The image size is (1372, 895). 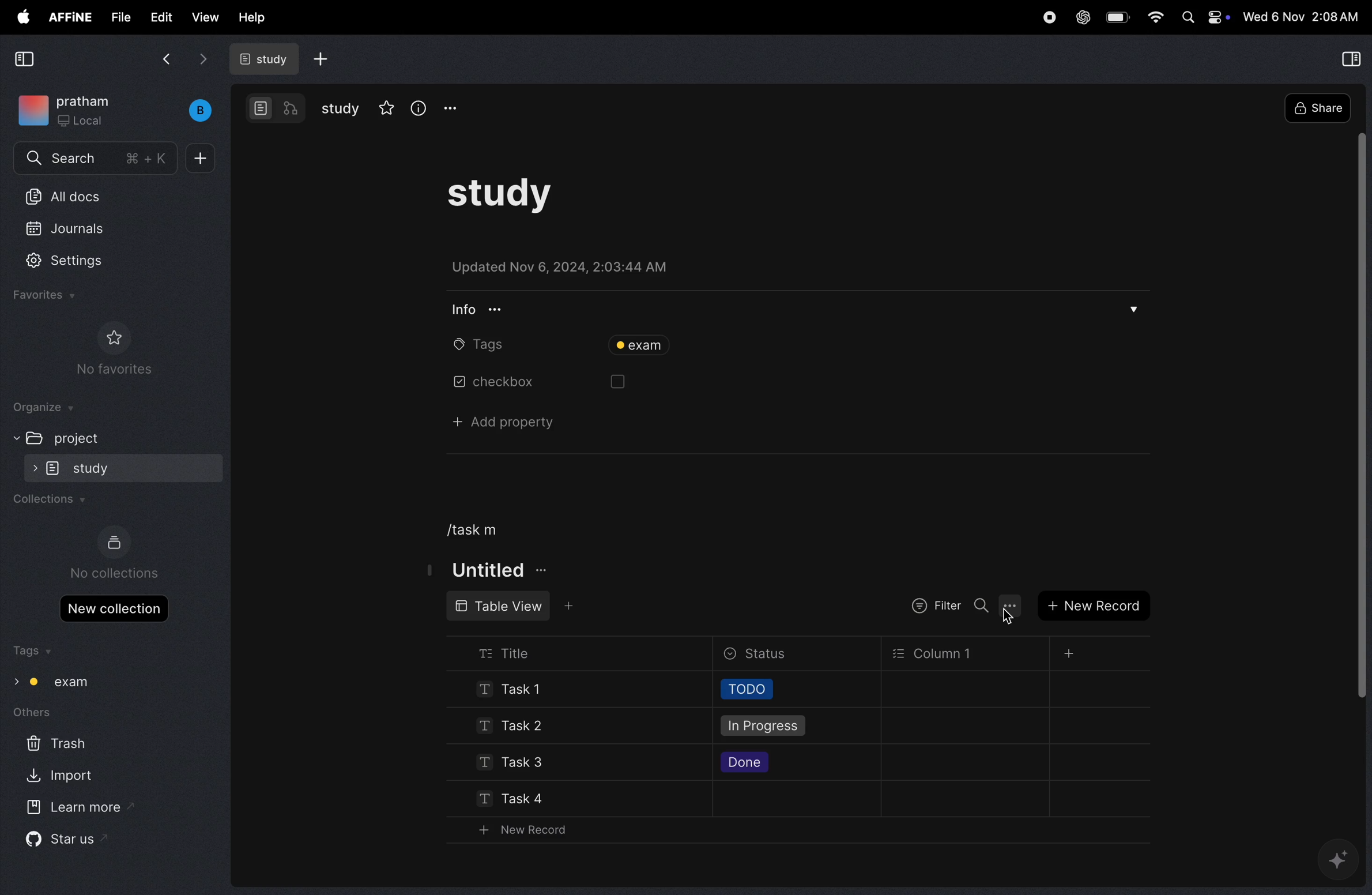 What do you see at coordinates (59, 683) in the screenshot?
I see `tag exam` at bounding box center [59, 683].